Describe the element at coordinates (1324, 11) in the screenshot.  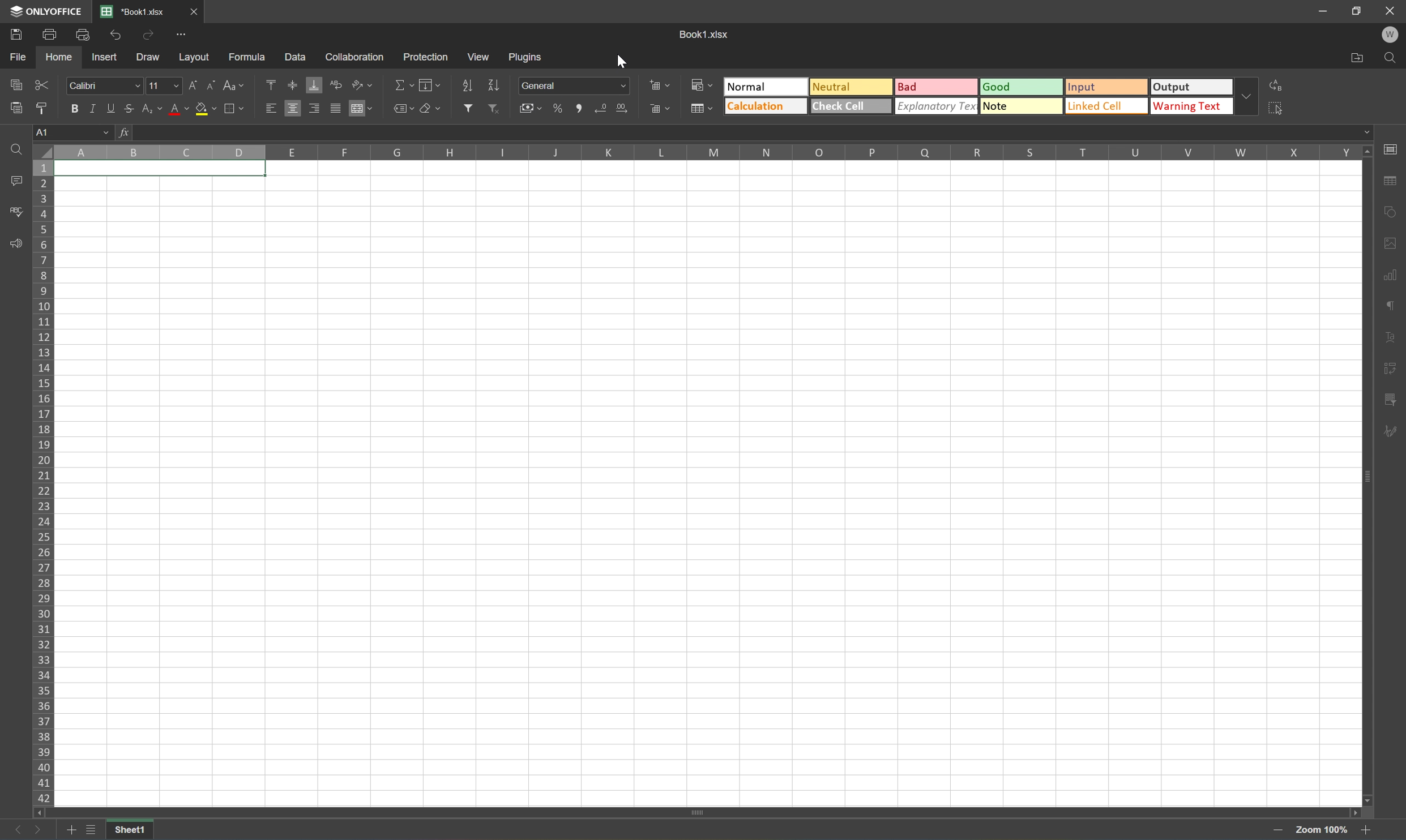
I see `Minimize` at that location.